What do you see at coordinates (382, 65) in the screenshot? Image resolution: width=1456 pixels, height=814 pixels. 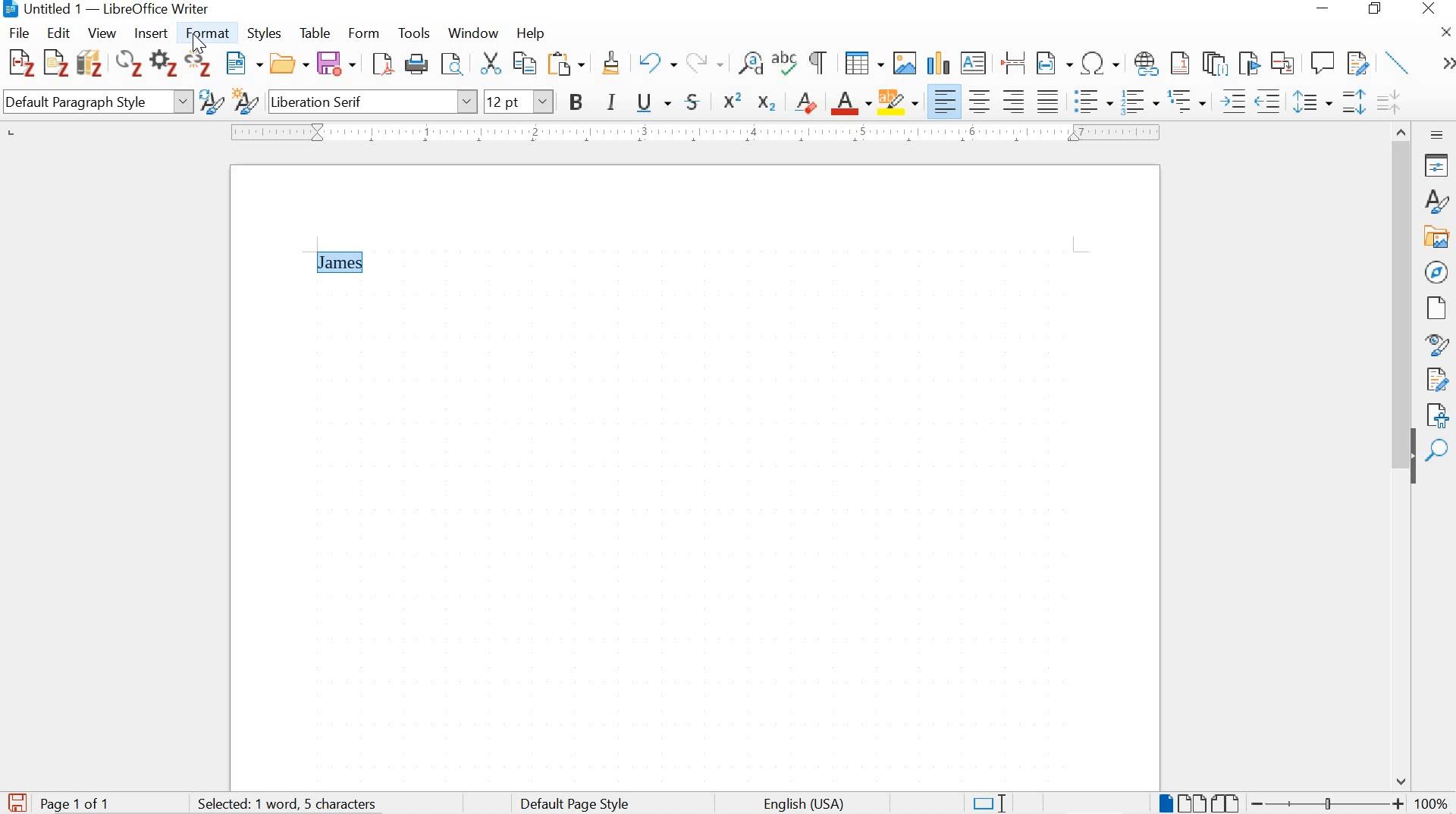 I see `save as pdf` at bounding box center [382, 65].